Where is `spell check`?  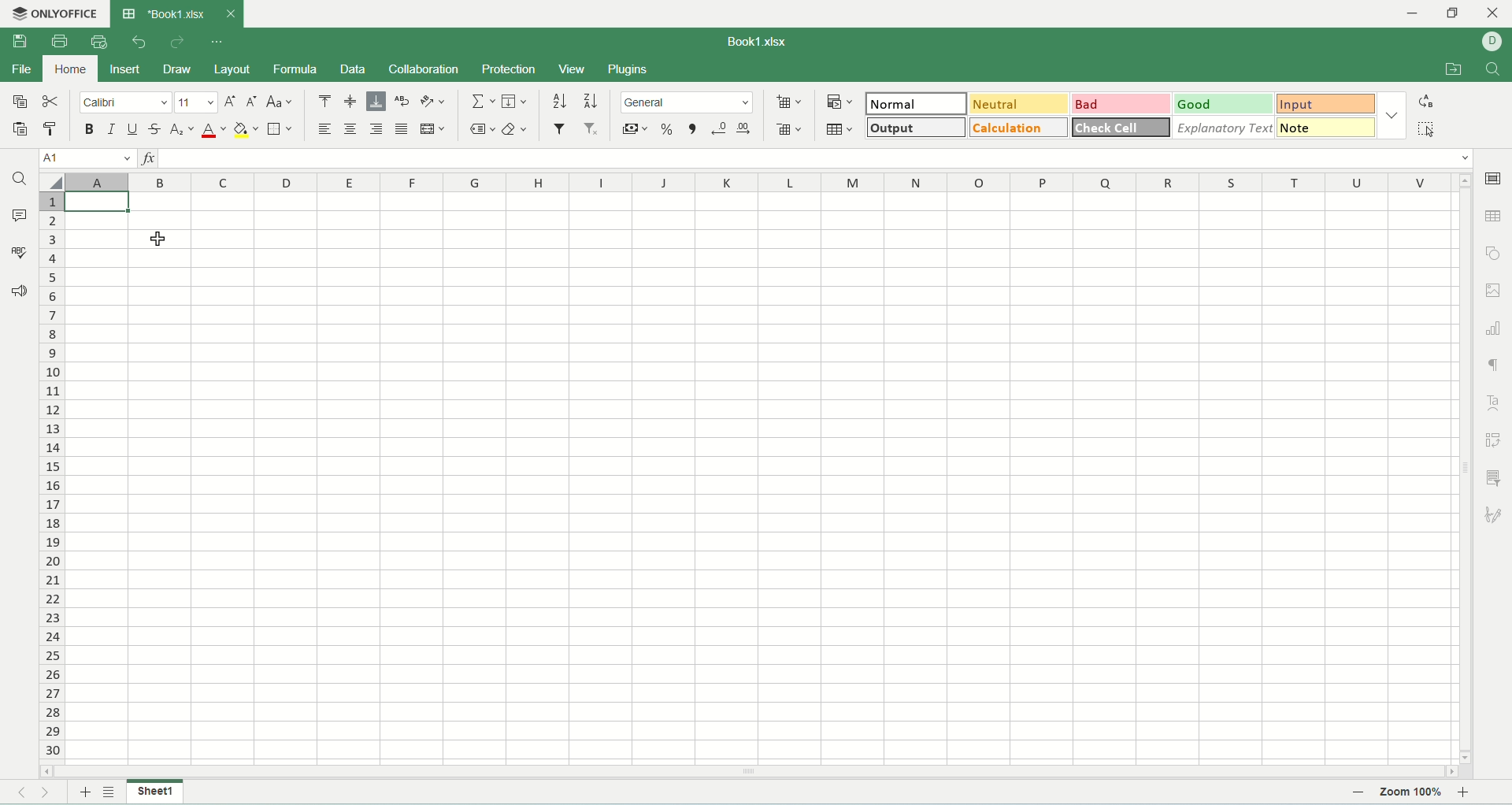
spell check is located at coordinates (18, 251).